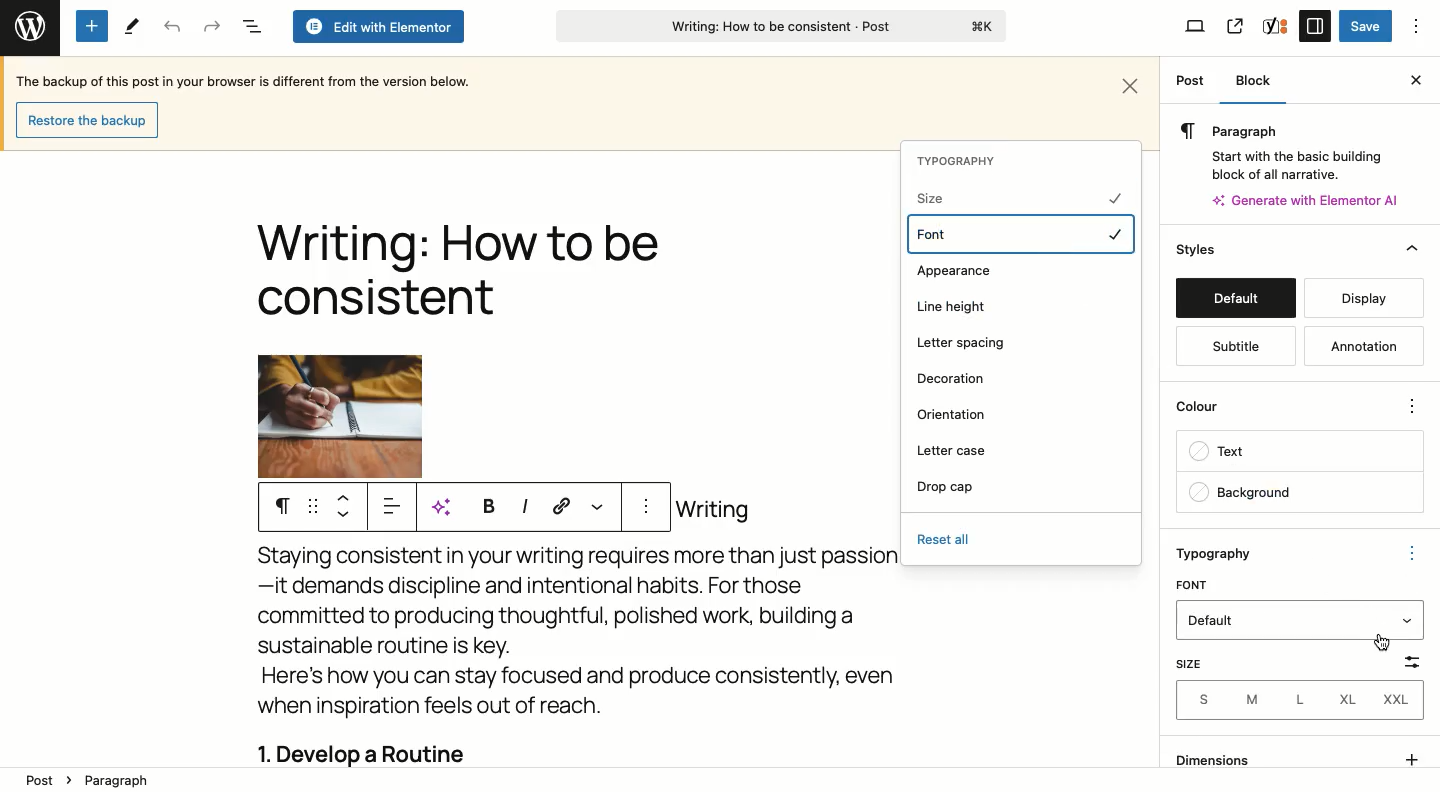  Describe the element at coordinates (282, 507) in the screenshot. I see `Paragraph` at that location.